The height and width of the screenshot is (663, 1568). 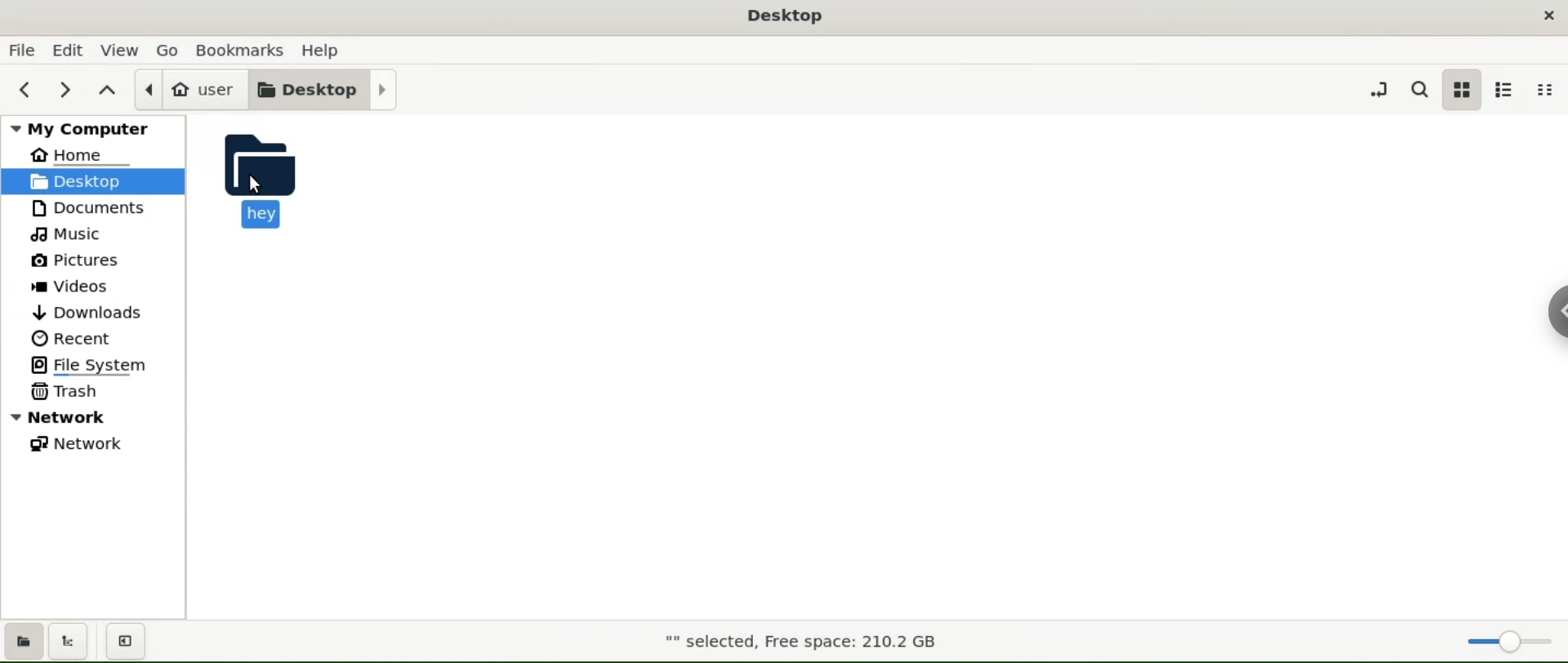 What do you see at coordinates (1545, 91) in the screenshot?
I see `compact view` at bounding box center [1545, 91].